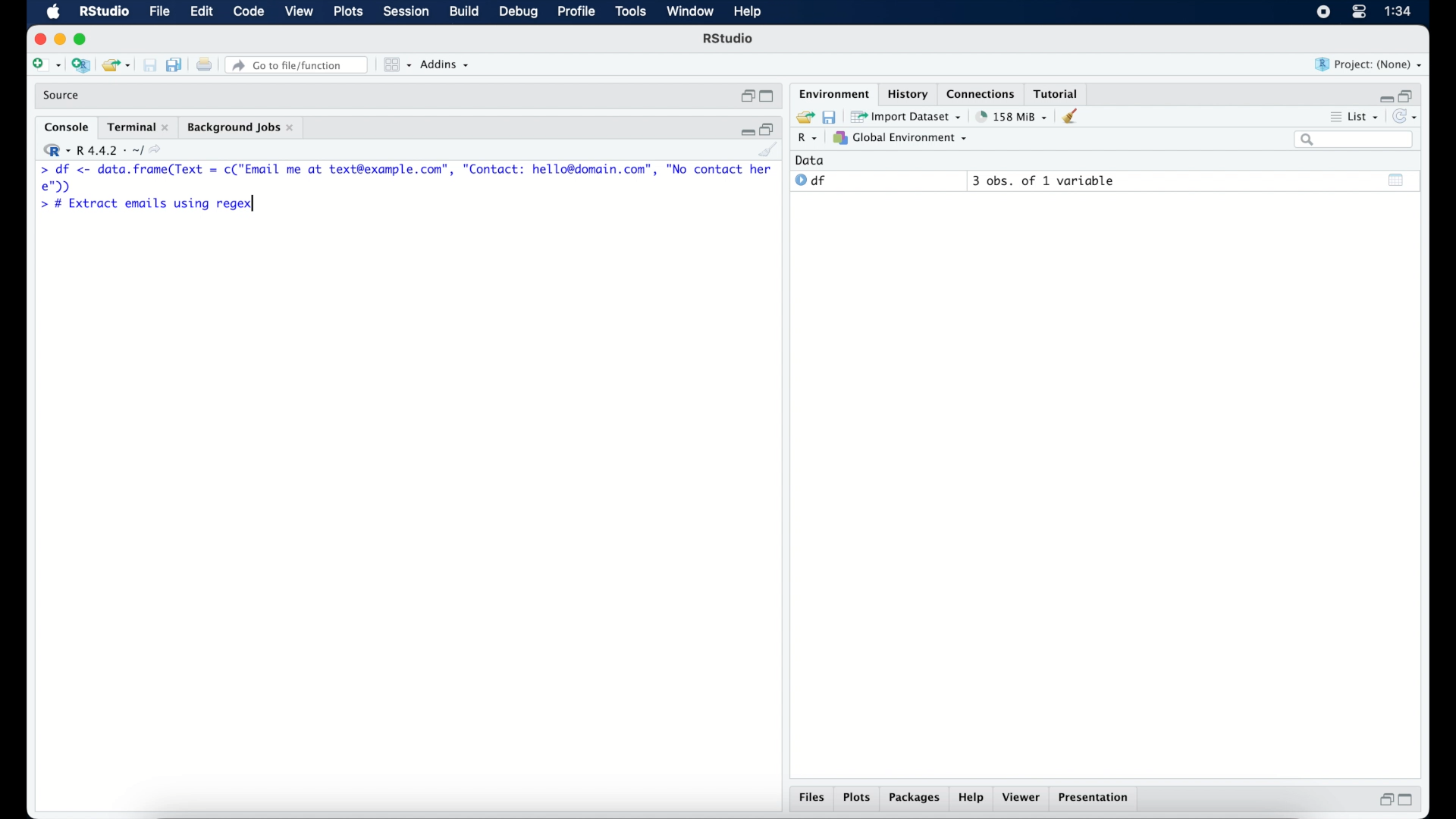 The image size is (1456, 819). Describe the element at coordinates (465, 12) in the screenshot. I see `build` at that location.